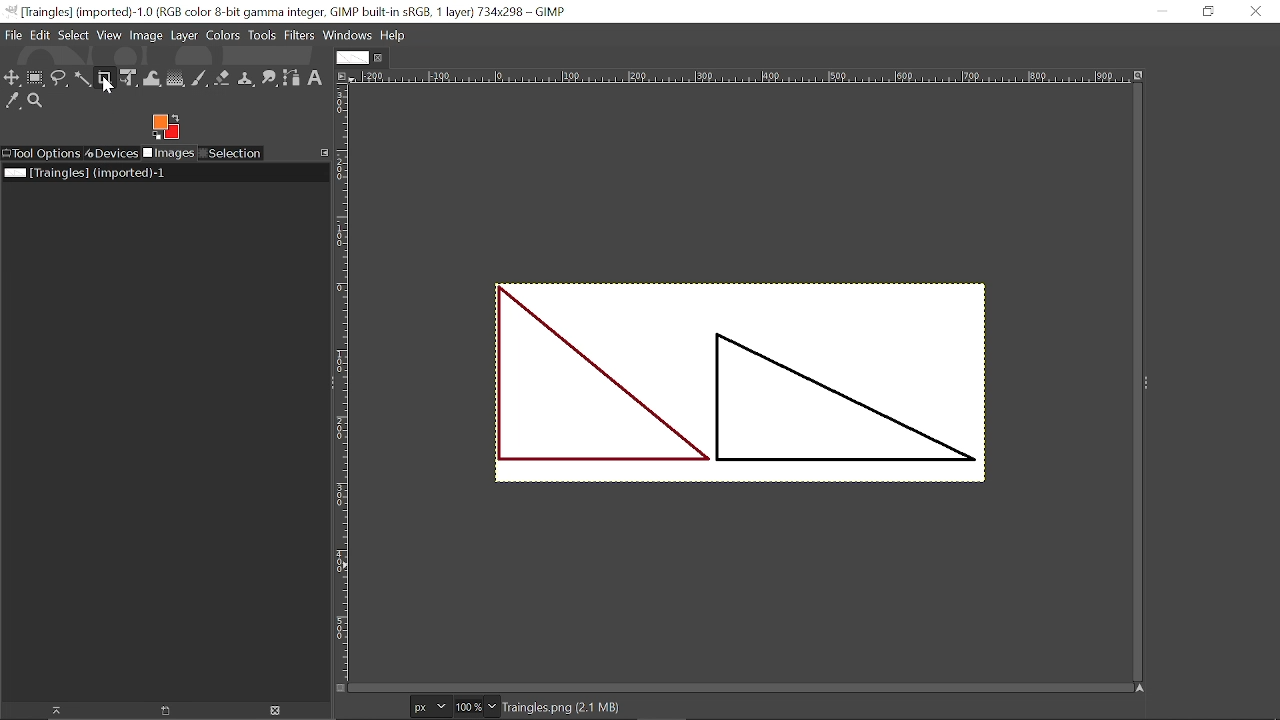  Describe the element at coordinates (184, 37) in the screenshot. I see `layer` at that location.